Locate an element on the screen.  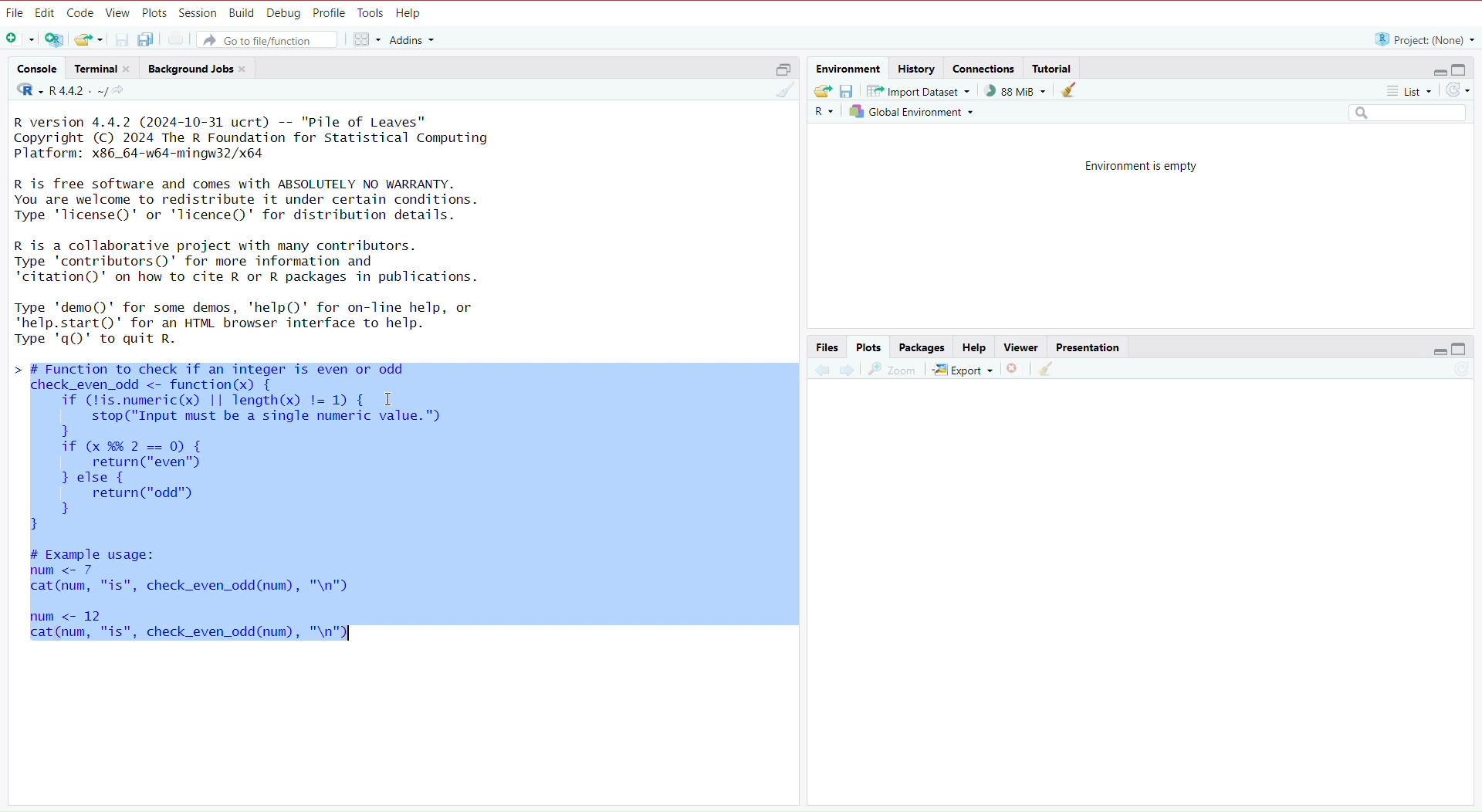
presentation is located at coordinates (1091, 347).